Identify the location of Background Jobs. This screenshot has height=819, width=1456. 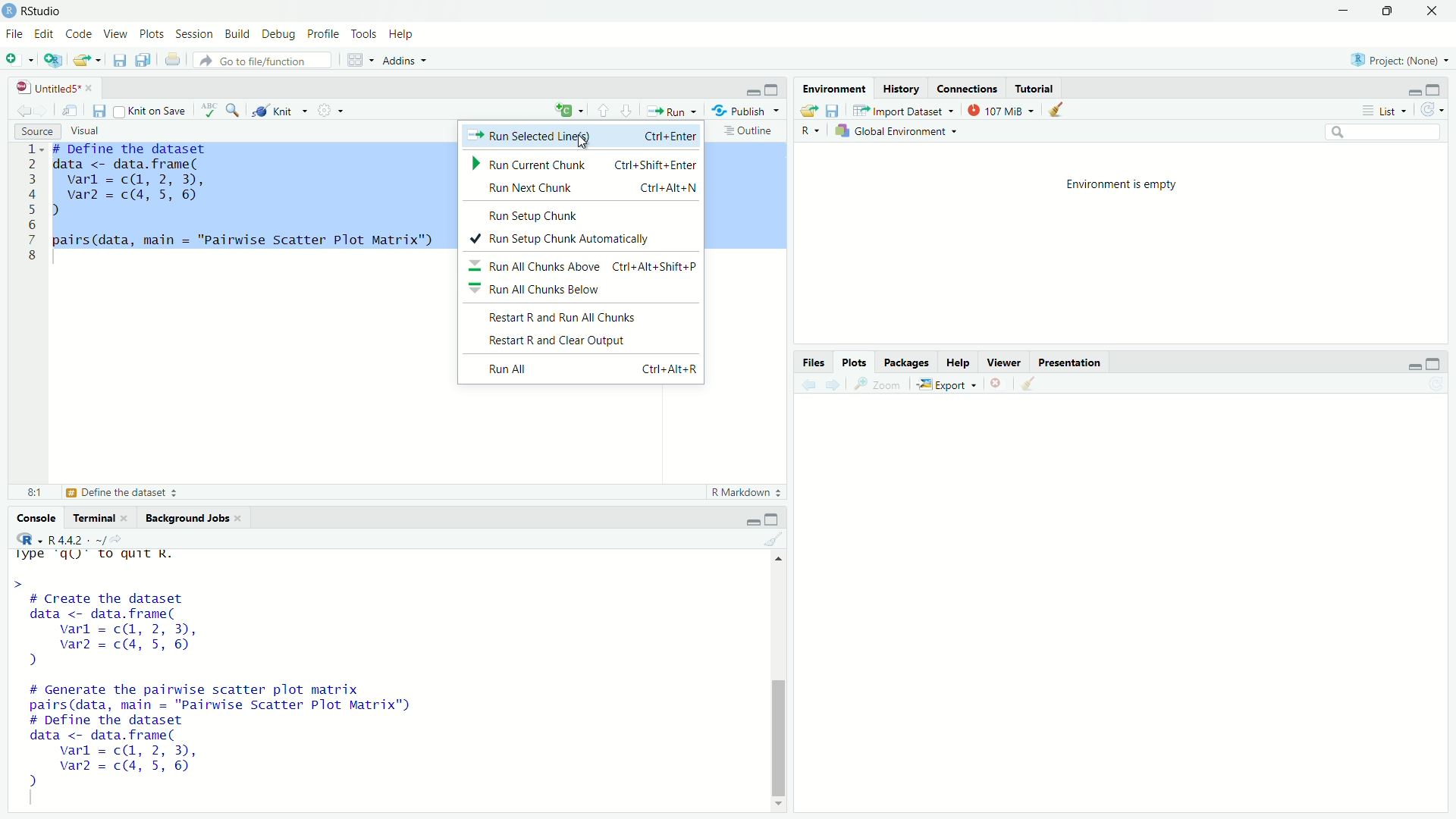
(190, 518).